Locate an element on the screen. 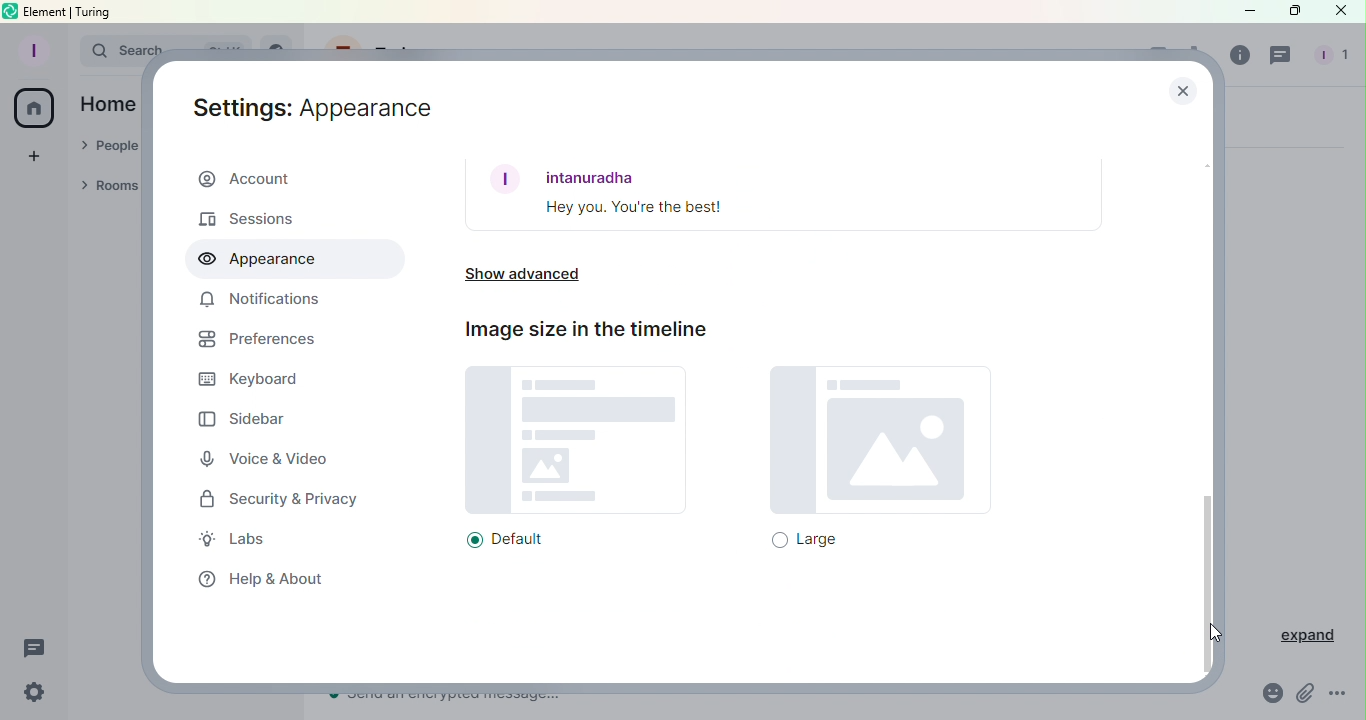 This screenshot has height=720, width=1366. People is located at coordinates (109, 147).